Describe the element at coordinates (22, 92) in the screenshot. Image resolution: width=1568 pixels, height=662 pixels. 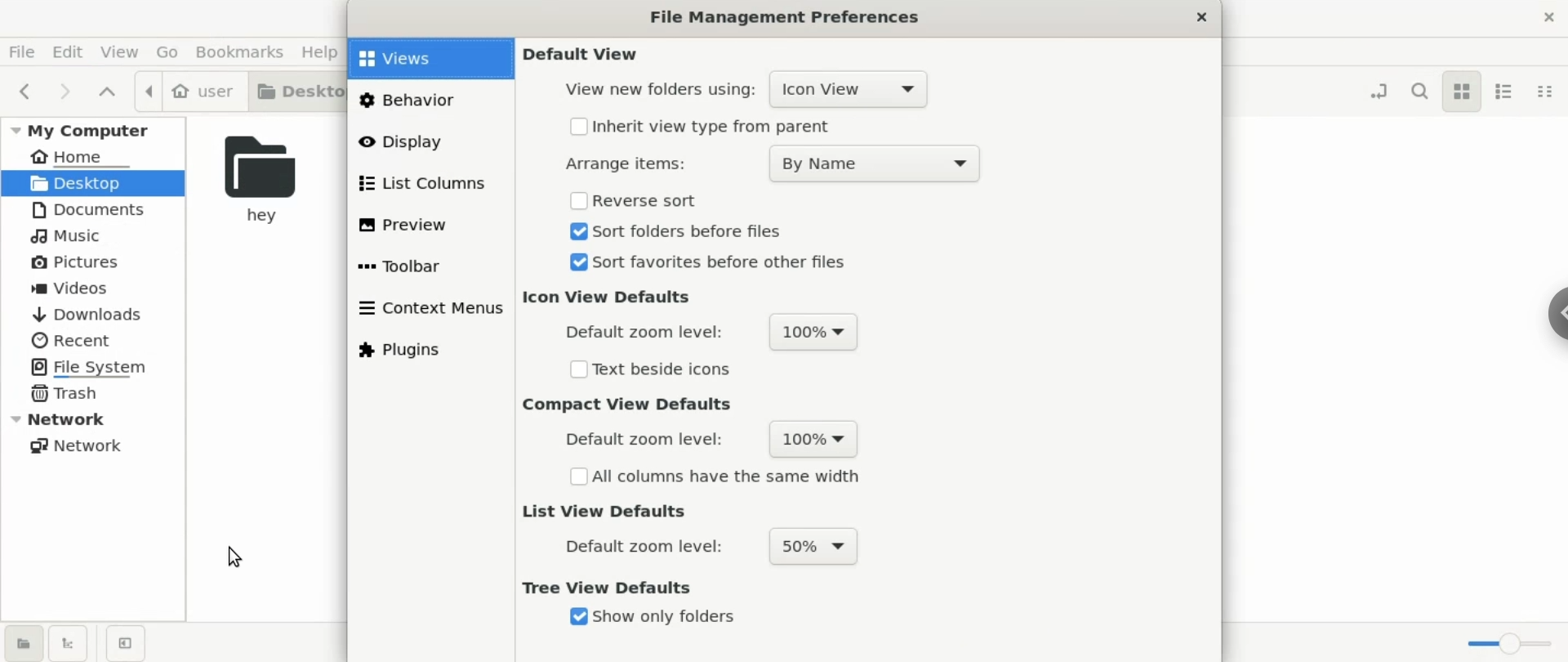
I see `previous` at that location.